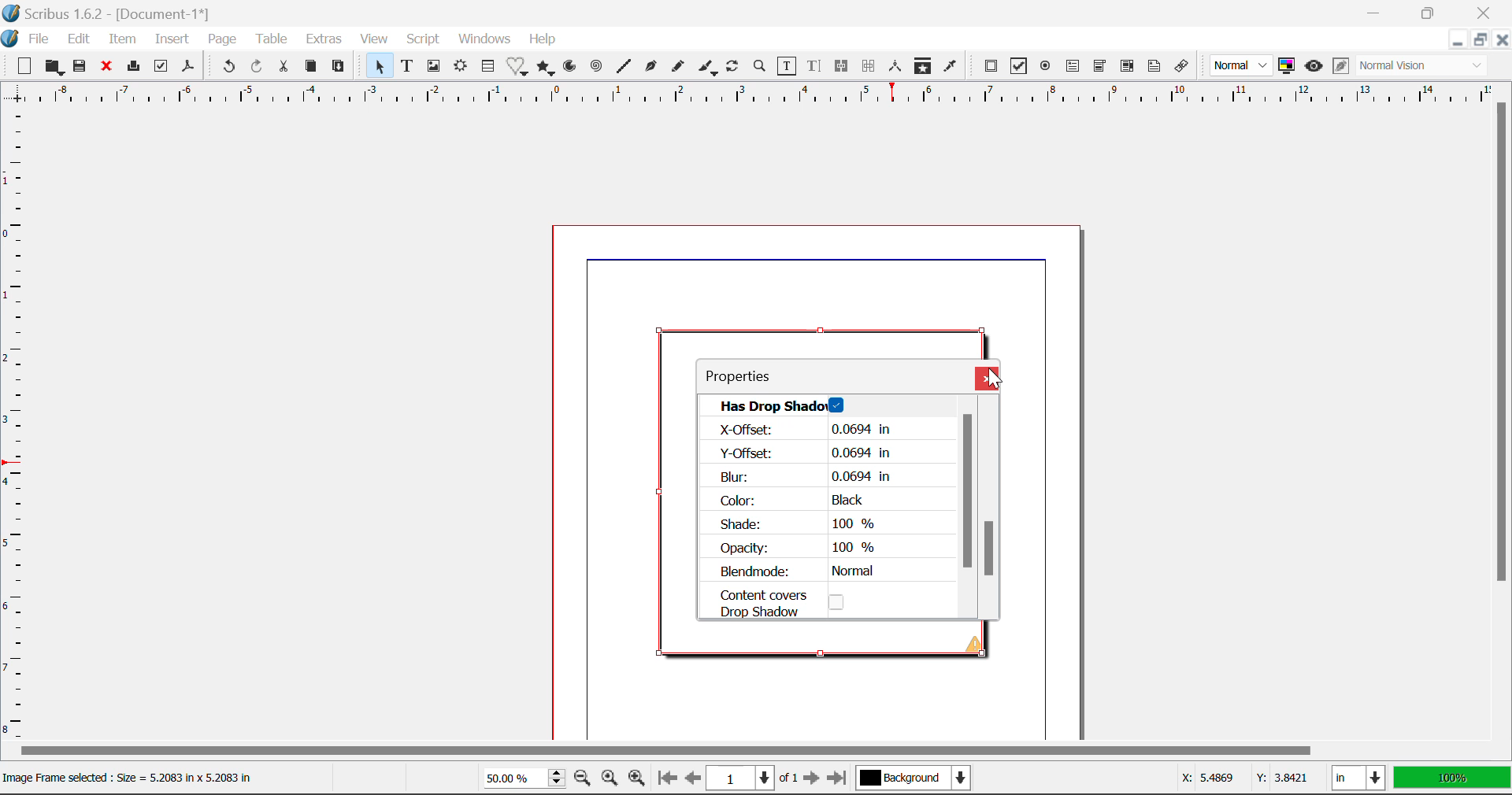 The width and height of the screenshot is (1512, 795). I want to click on Minimize, so click(1430, 11).